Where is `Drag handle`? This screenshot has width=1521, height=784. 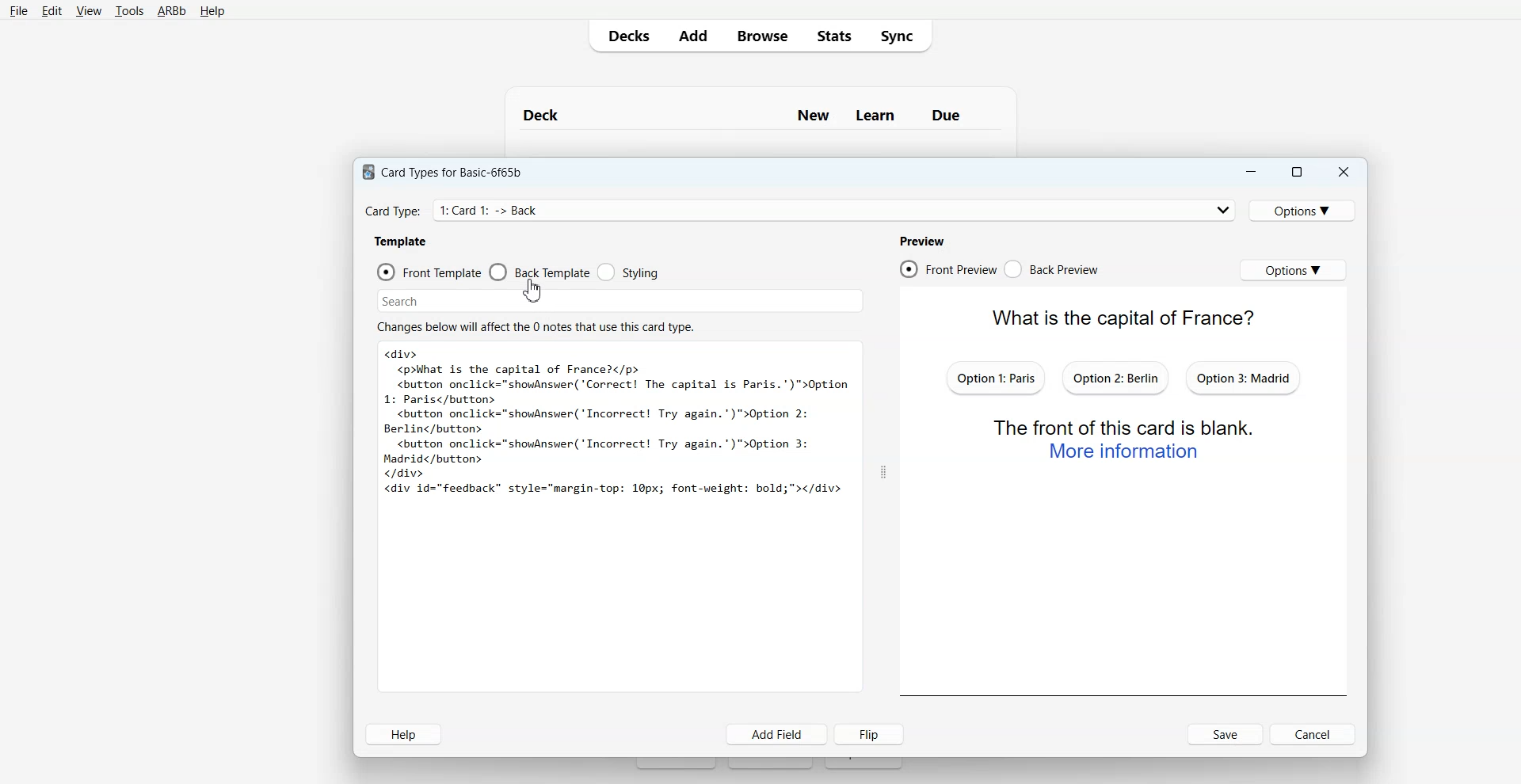 Drag handle is located at coordinates (883, 472).